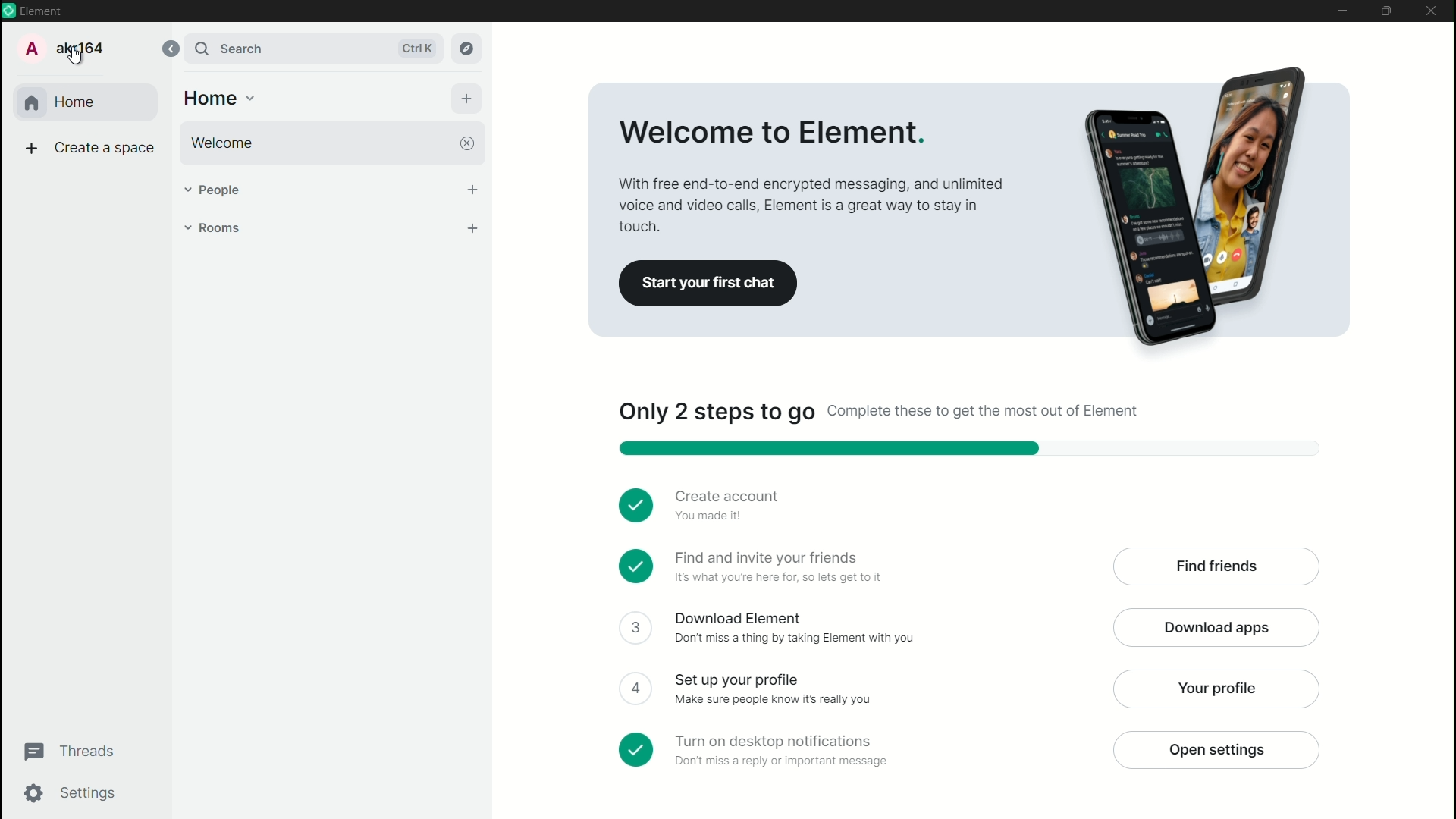 The height and width of the screenshot is (819, 1456). I want to click on maximize or restore, so click(1388, 11).